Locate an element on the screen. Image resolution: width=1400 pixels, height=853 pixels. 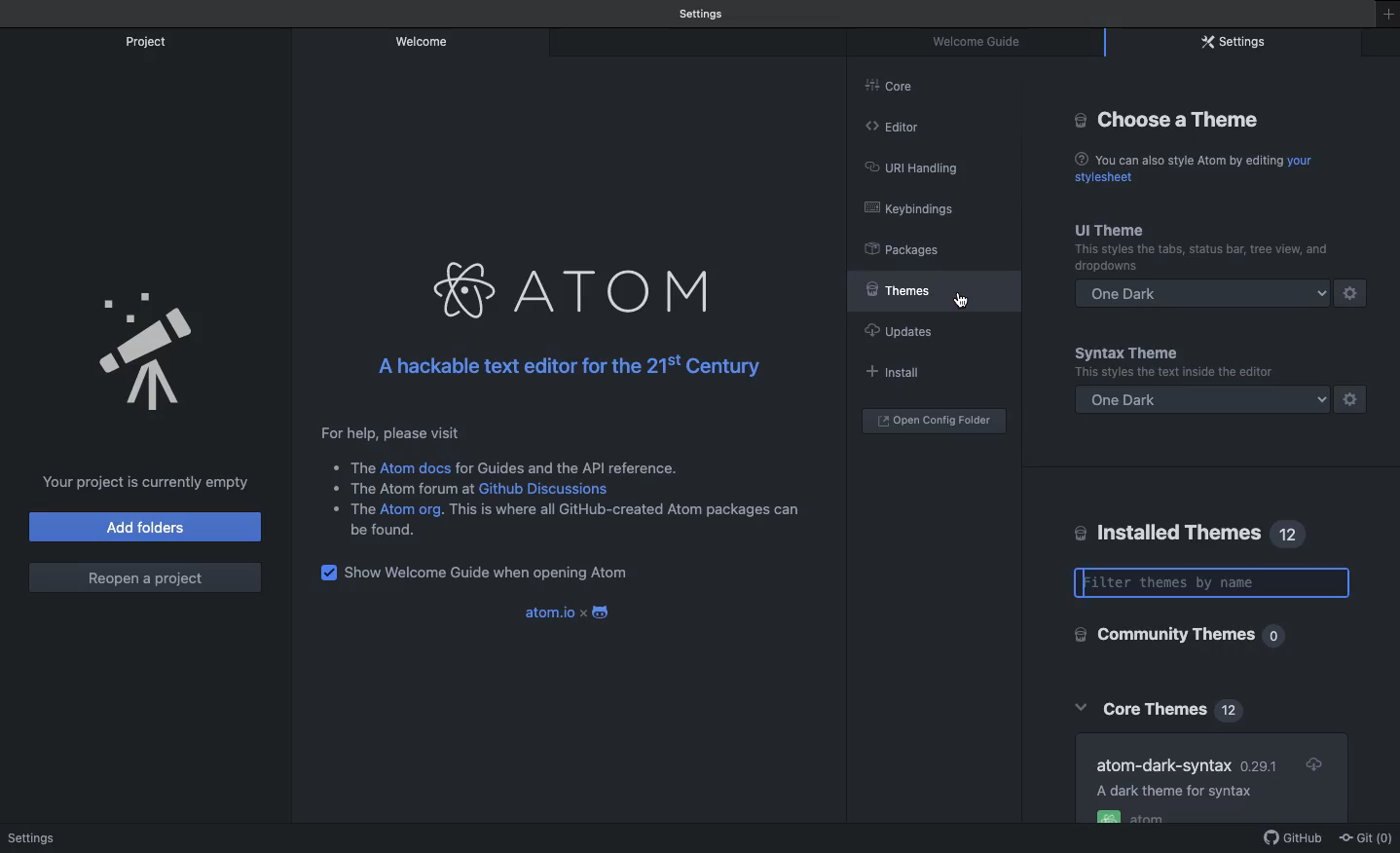
Atom dark syntax is located at coordinates (1208, 760).